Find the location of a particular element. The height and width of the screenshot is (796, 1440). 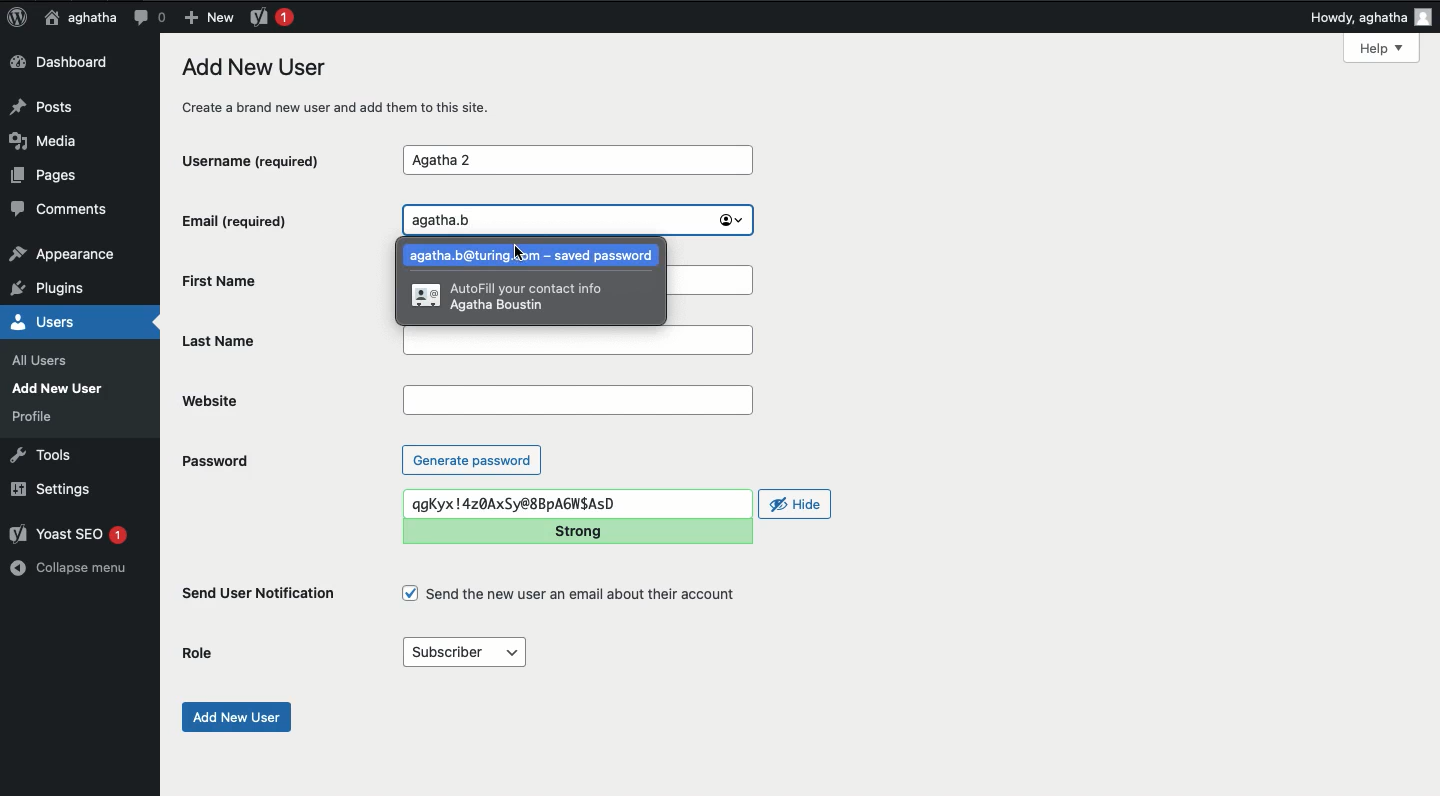

Comments is located at coordinates (61, 212).